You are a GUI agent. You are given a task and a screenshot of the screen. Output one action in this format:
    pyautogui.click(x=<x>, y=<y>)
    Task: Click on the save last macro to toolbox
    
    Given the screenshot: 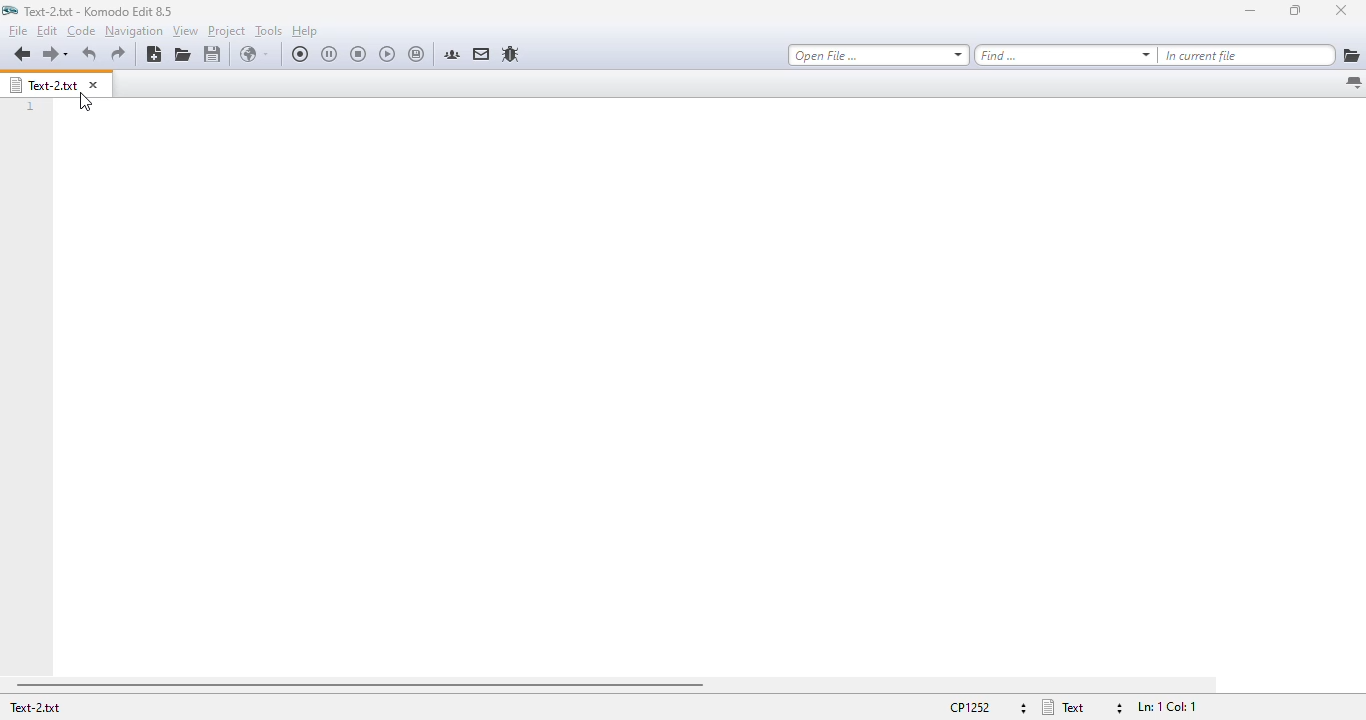 What is the action you would take?
    pyautogui.click(x=416, y=54)
    